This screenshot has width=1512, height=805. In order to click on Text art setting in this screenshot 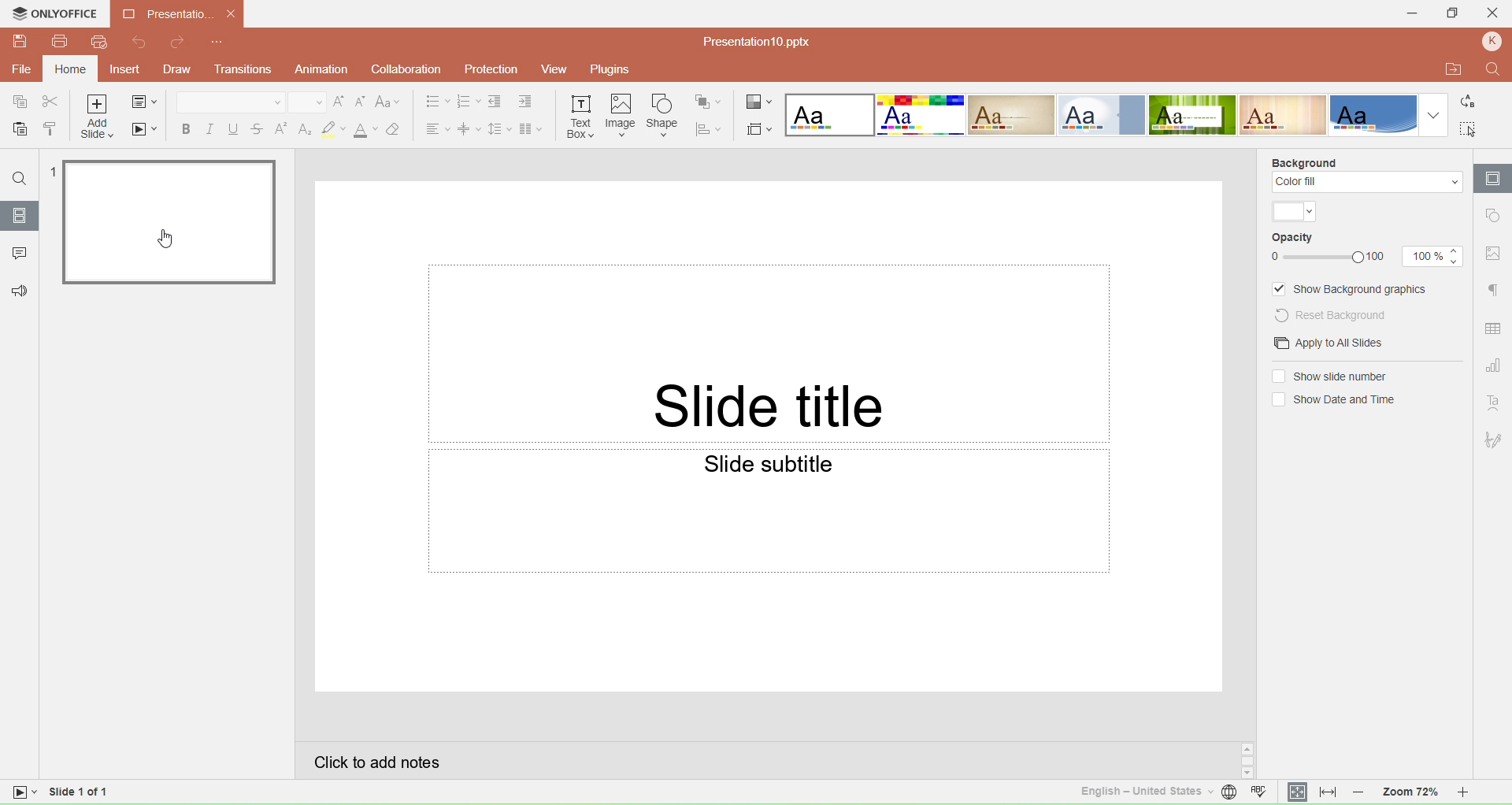, I will do `click(1494, 403)`.